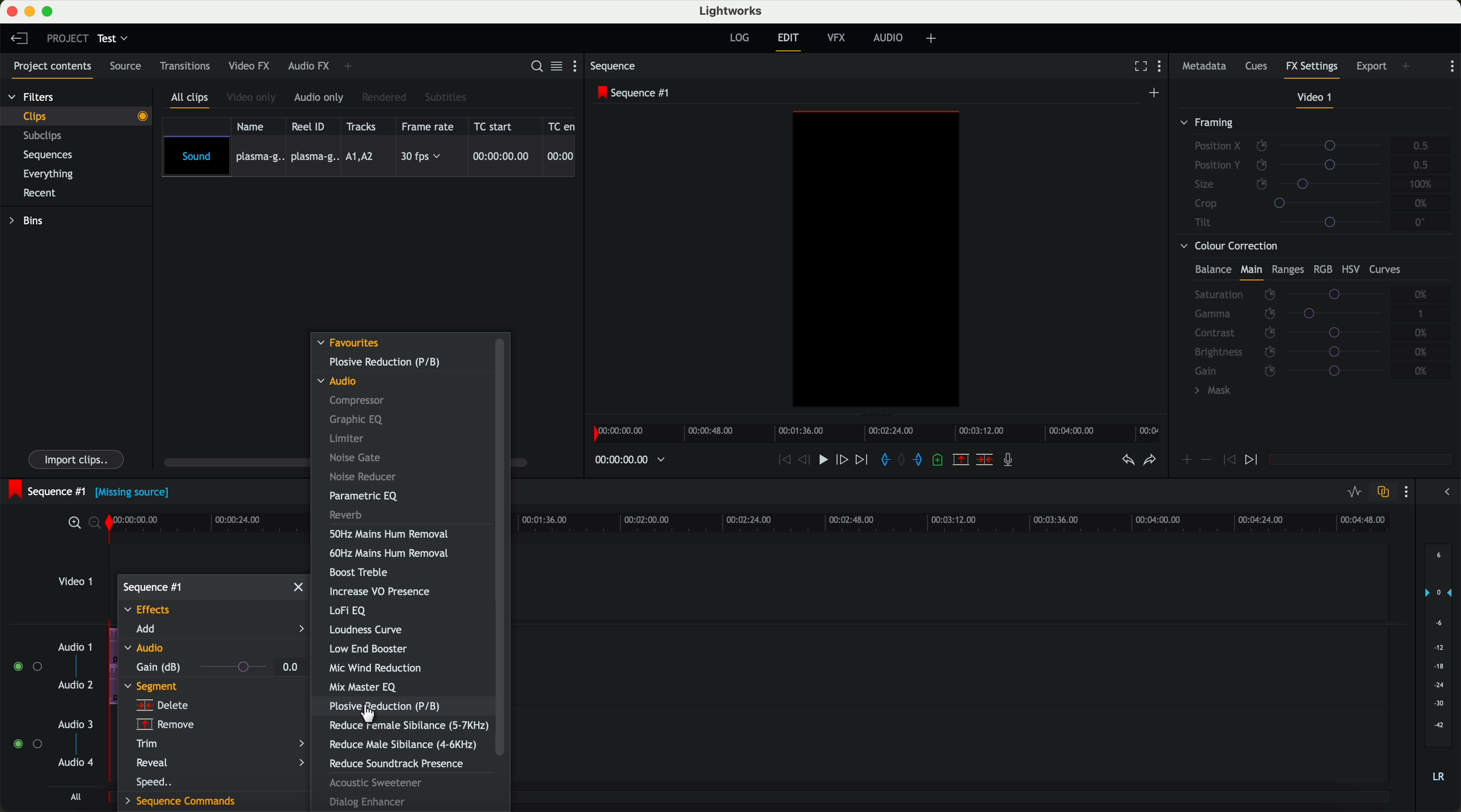 The width and height of the screenshot is (1461, 812). What do you see at coordinates (385, 362) in the screenshot?
I see `plosive reduction (P/B)` at bounding box center [385, 362].